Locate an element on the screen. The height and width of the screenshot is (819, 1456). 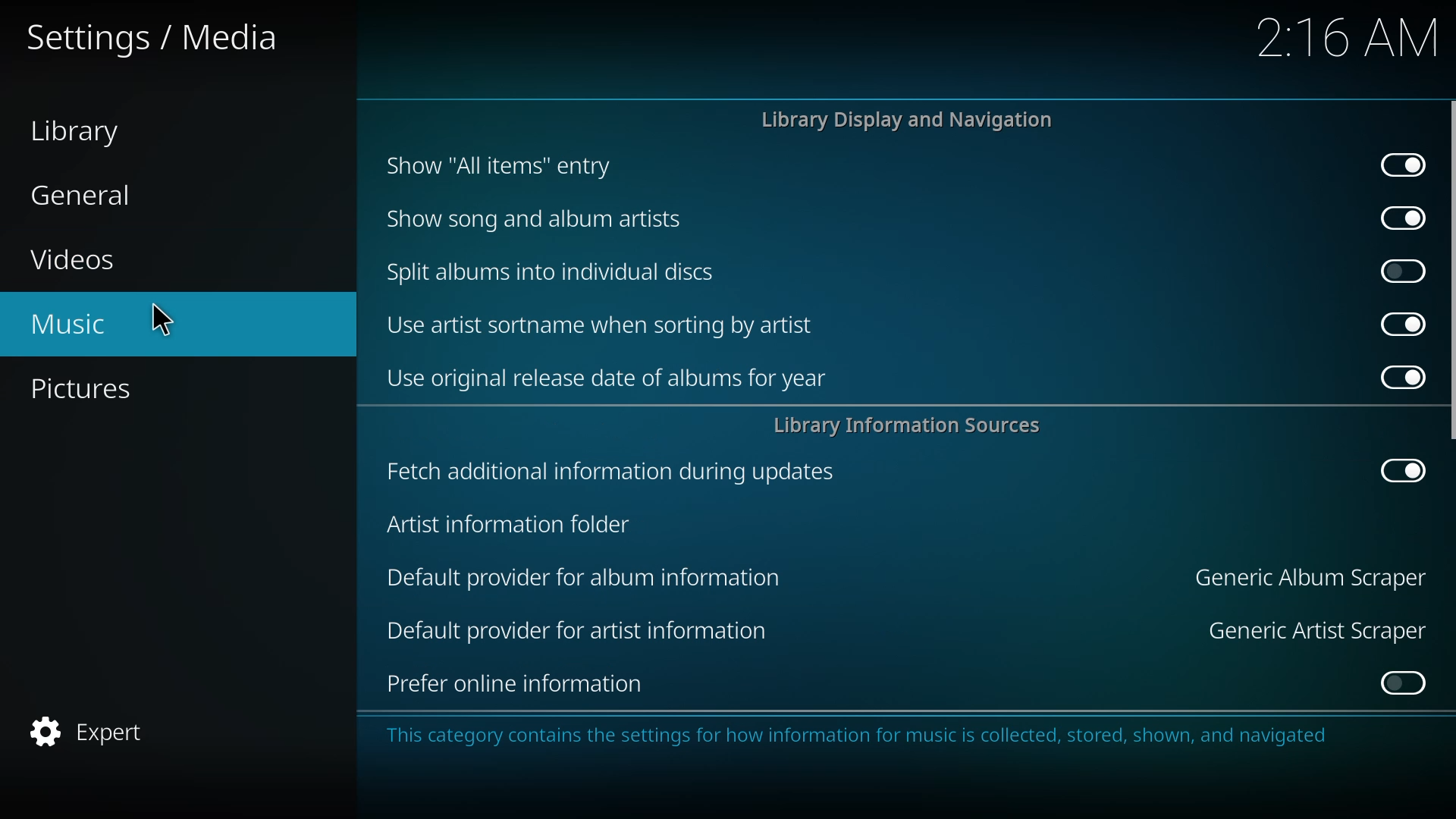
show song and album artists is located at coordinates (548, 219).